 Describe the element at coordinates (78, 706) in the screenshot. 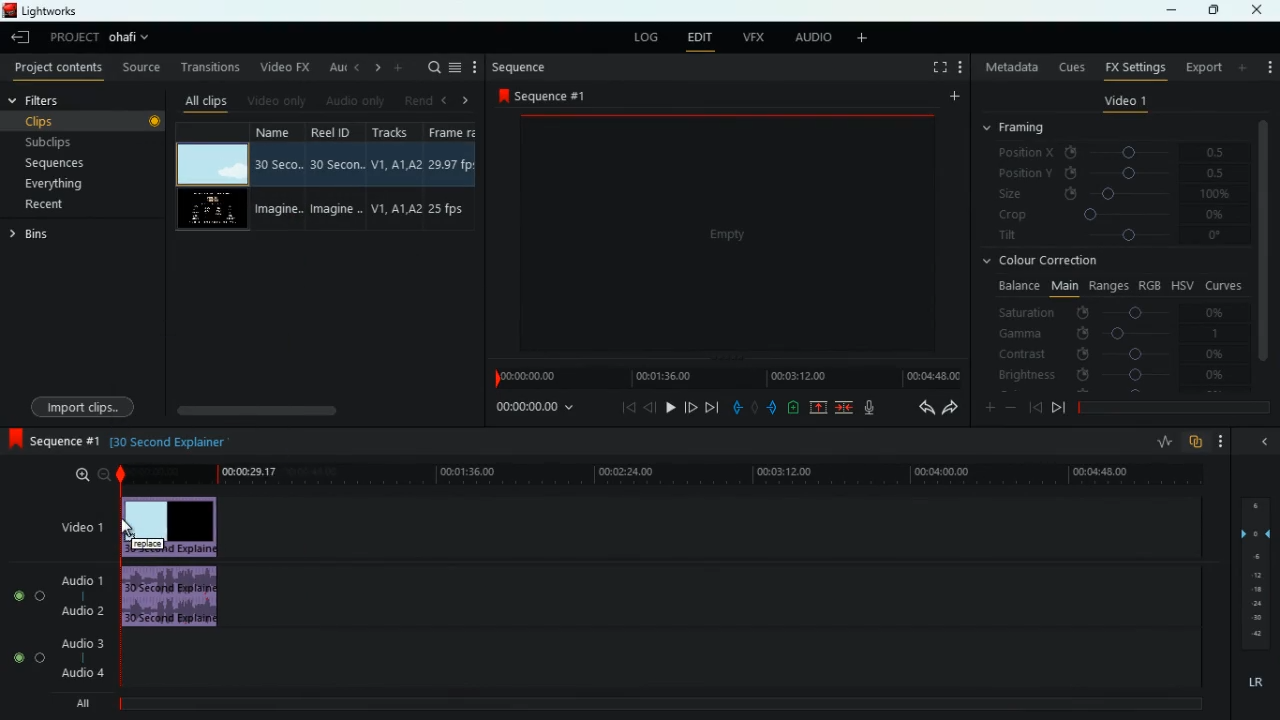

I see `all` at that location.